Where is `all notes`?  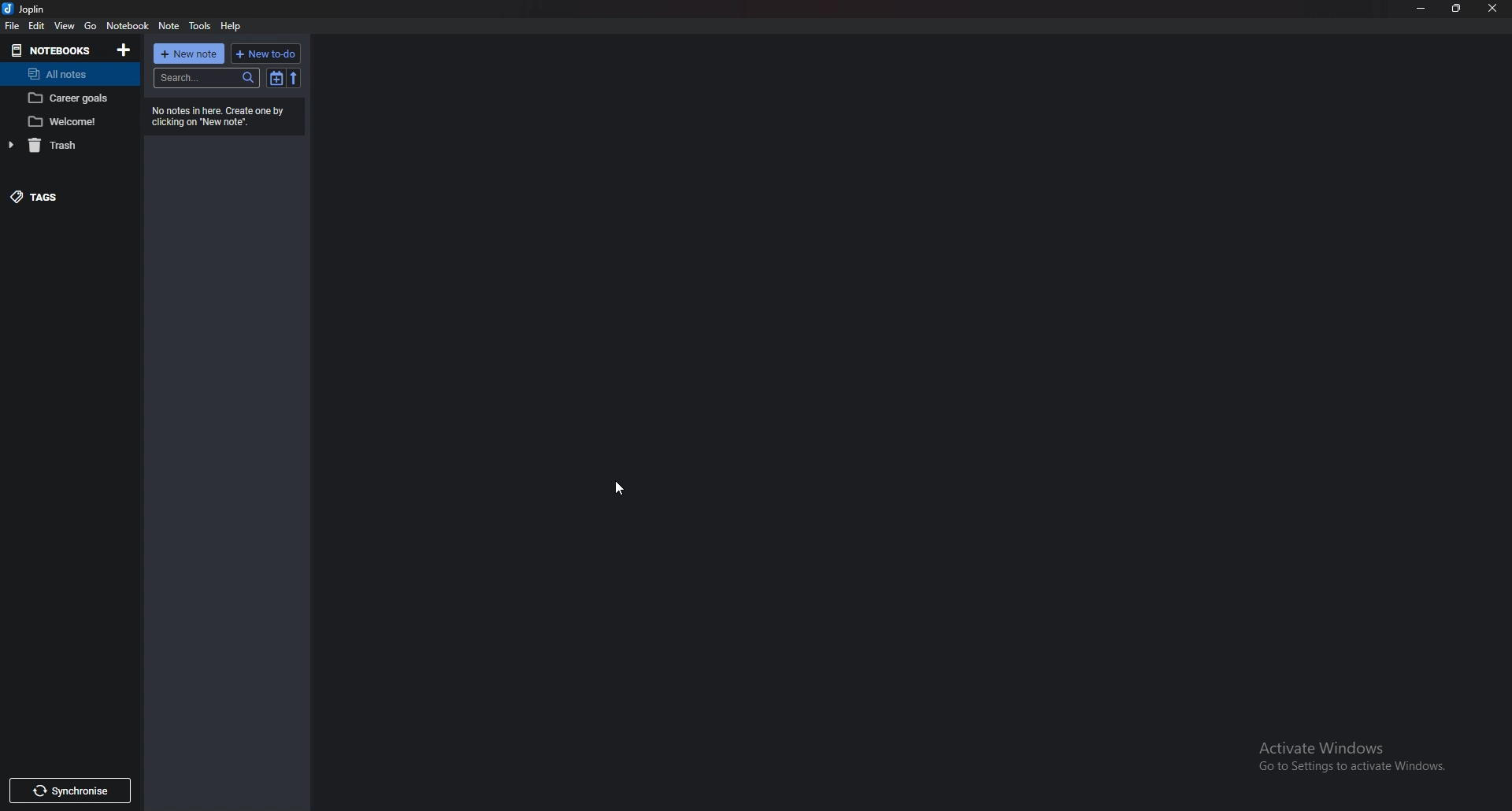
all notes is located at coordinates (66, 75).